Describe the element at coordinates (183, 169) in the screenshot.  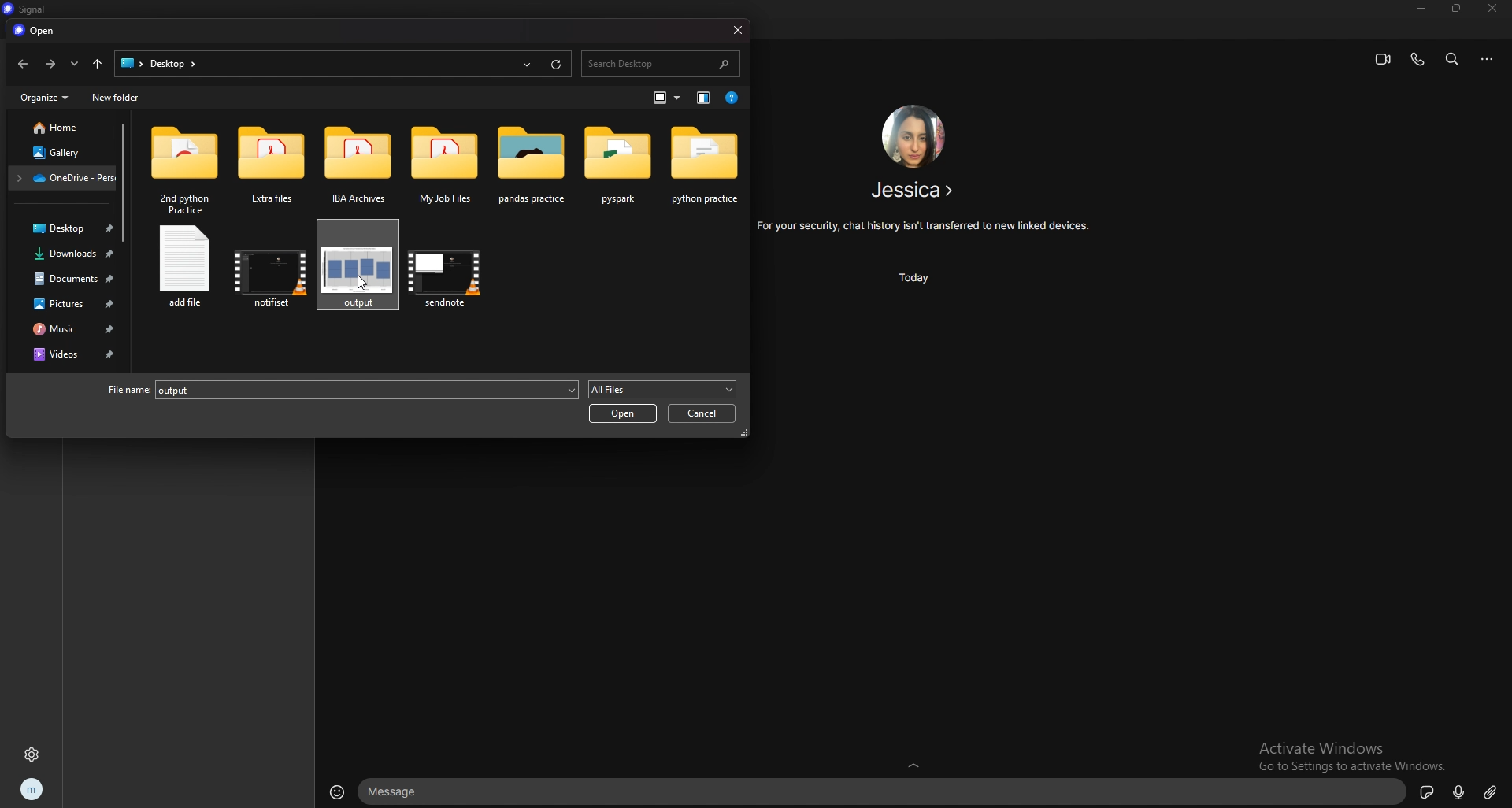
I see `folder` at that location.